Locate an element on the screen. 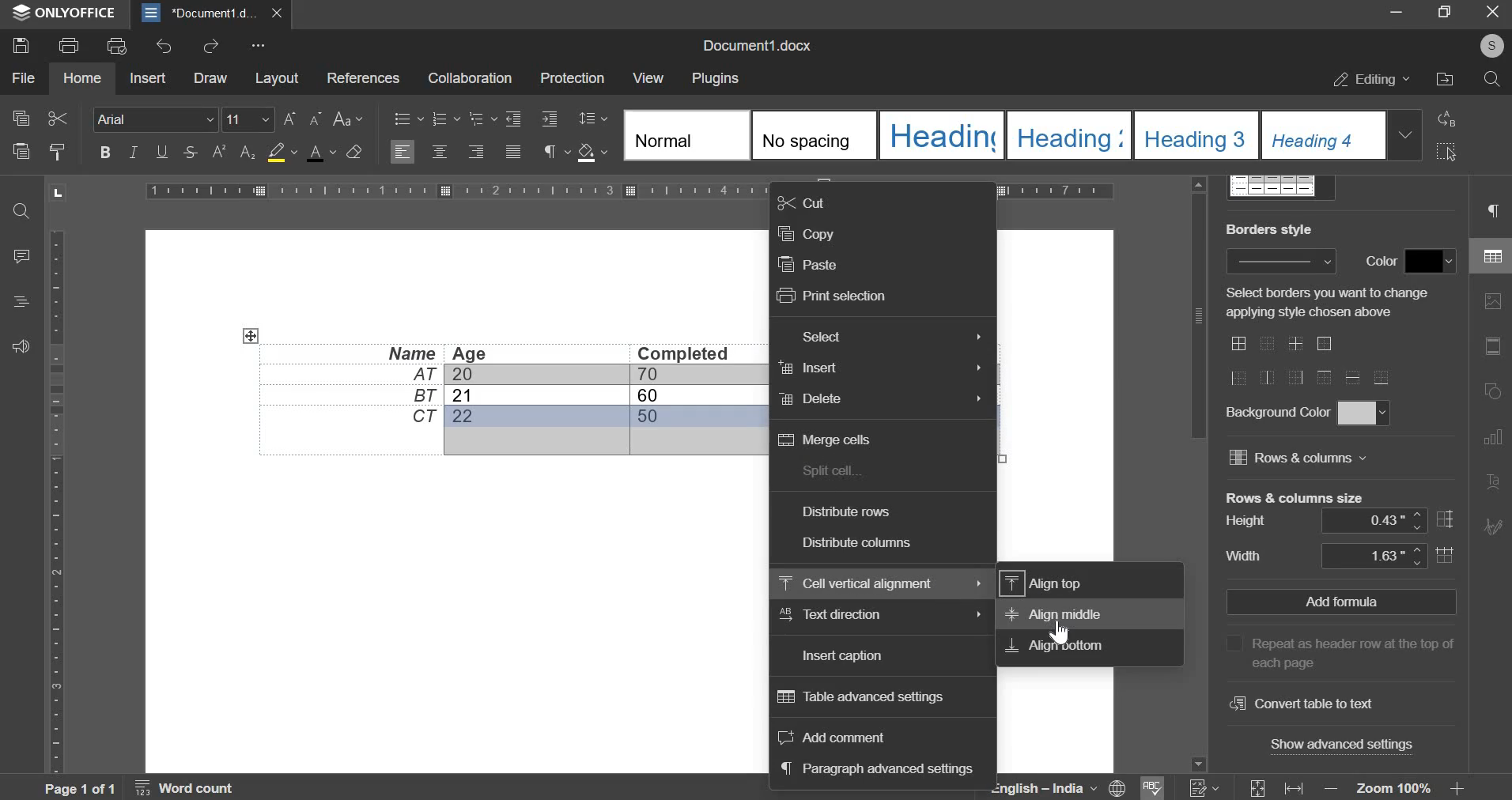  insert is located at coordinates (146, 78).